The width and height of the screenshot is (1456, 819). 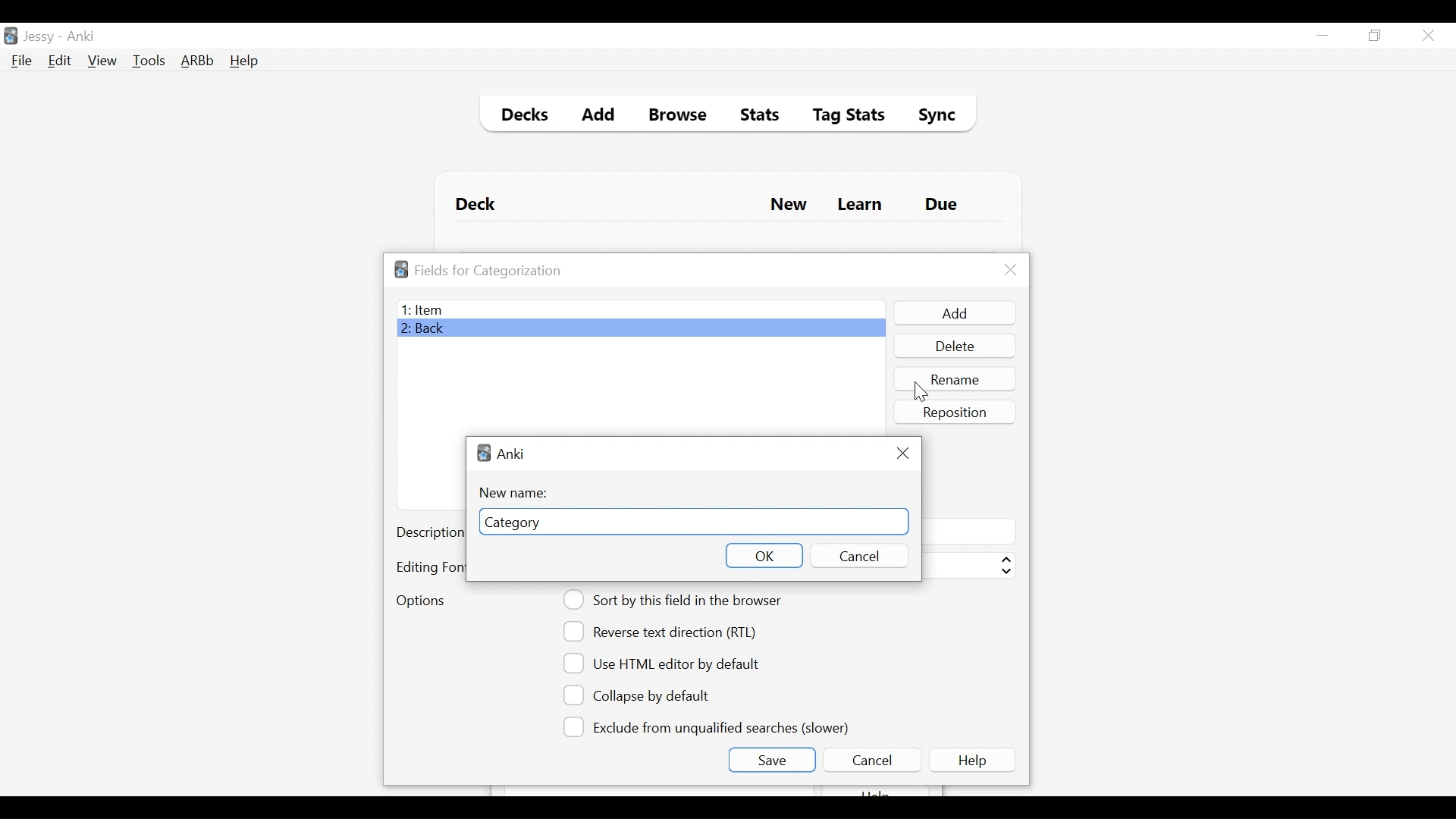 What do you see at coordinates (763, 555) in the screenshot?
I see `OK` at bounding box center [763, 555].